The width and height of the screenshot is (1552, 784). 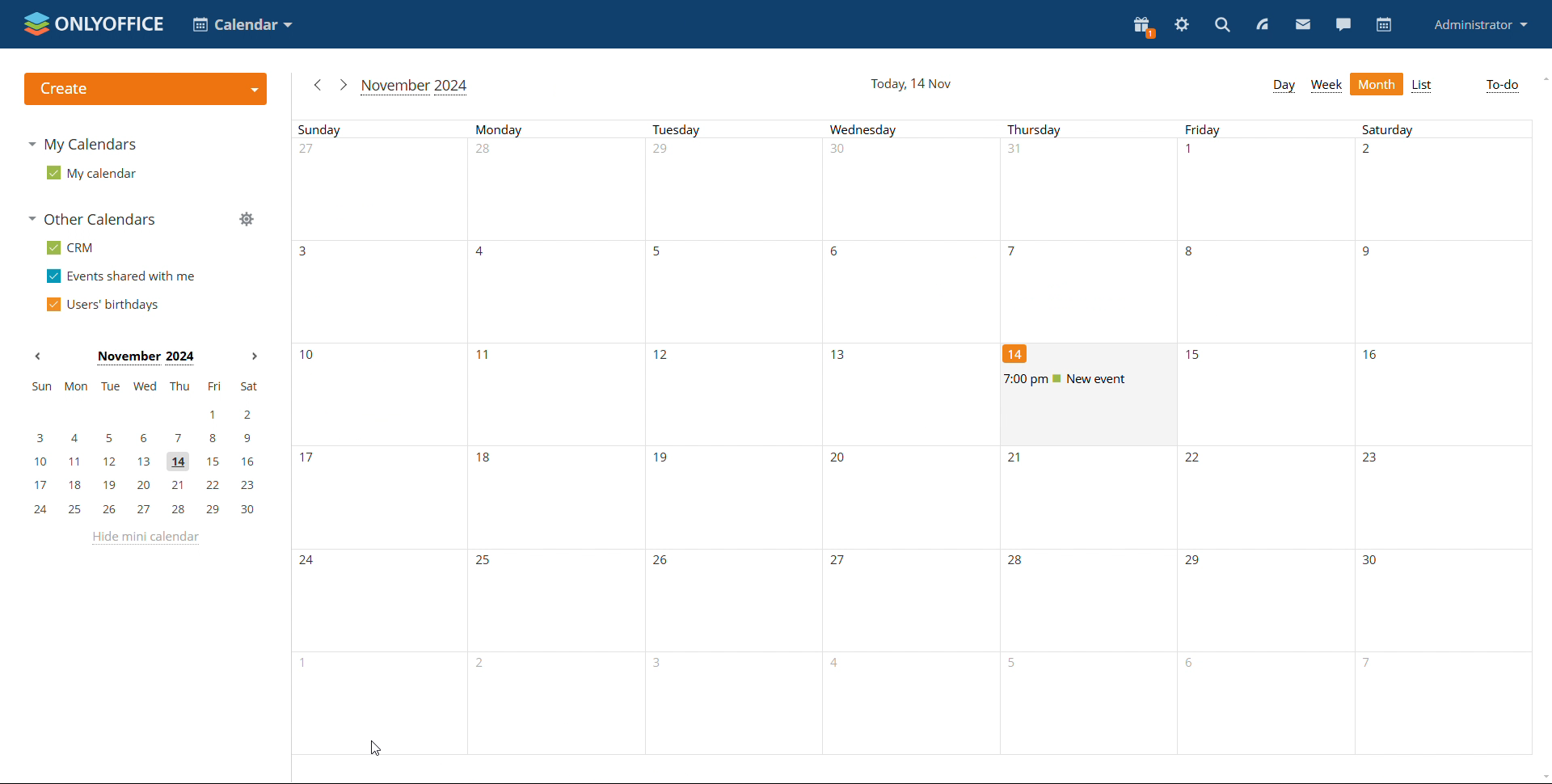 I want to click on number, so click(x=484, y=252).